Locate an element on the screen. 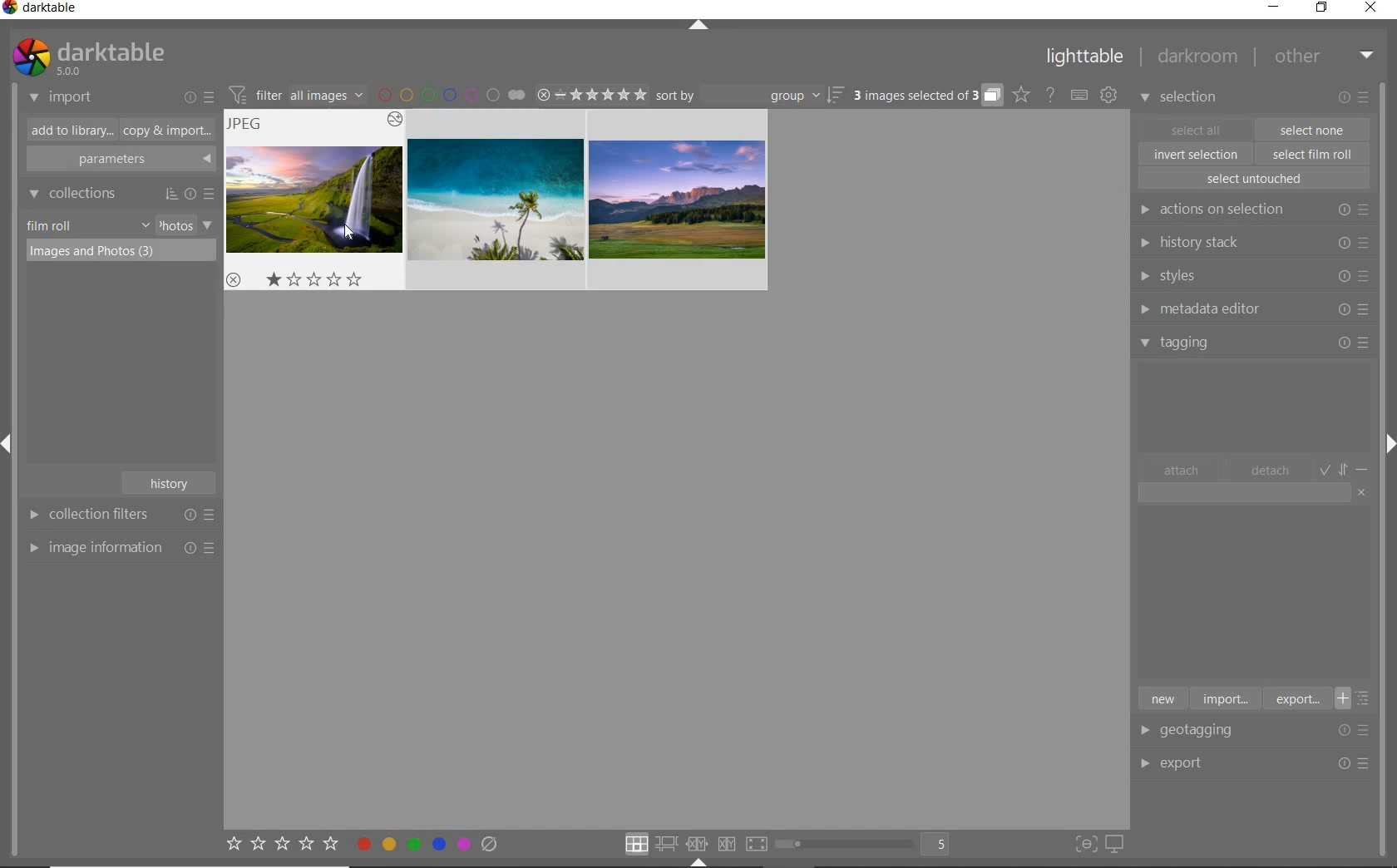 The height and width of the screenshot is (868, 1397). attach is located at coordinates (1182, 470).